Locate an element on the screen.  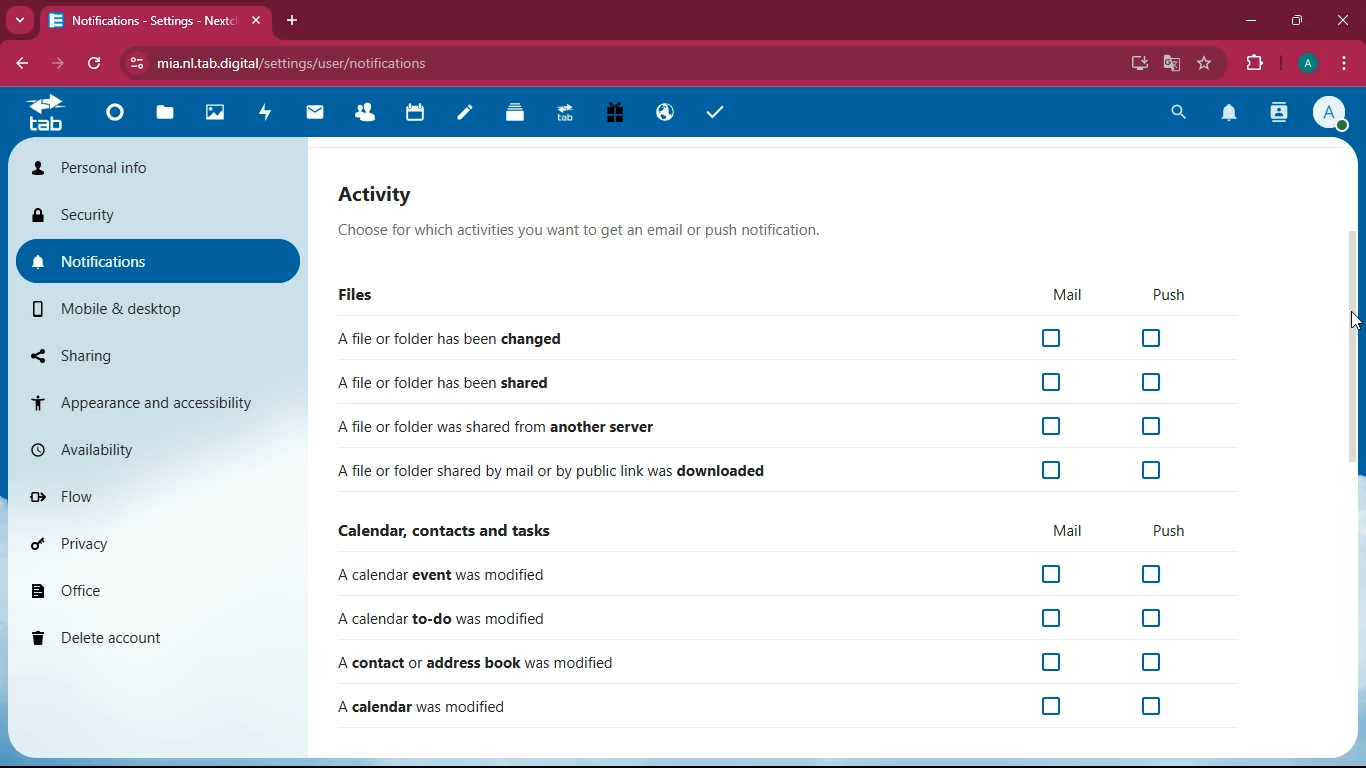
push is located at coordinates (1172, 532).